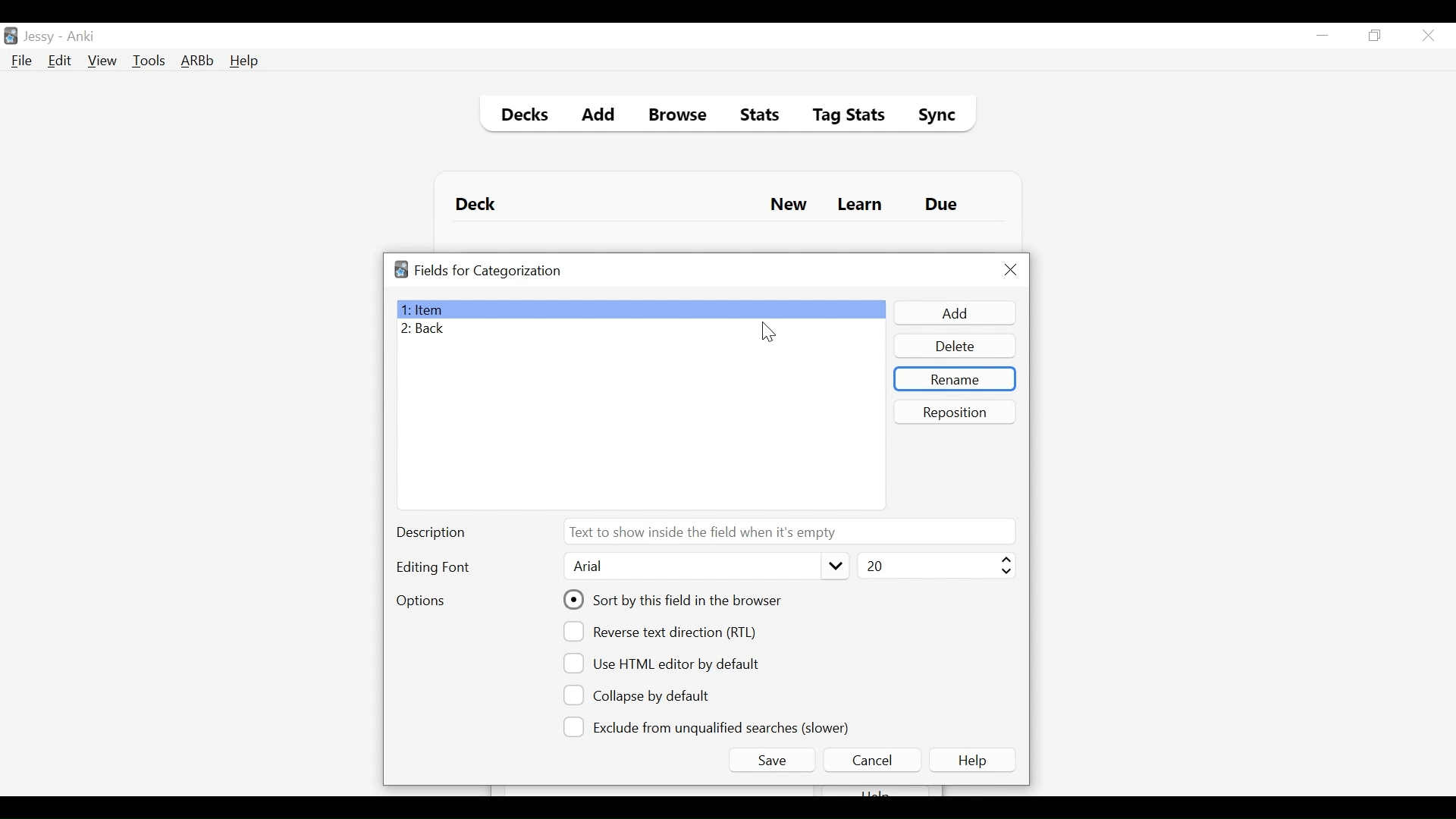 This screenshot has width=1456, height=819. I want to click on Help, so click(243, 62).